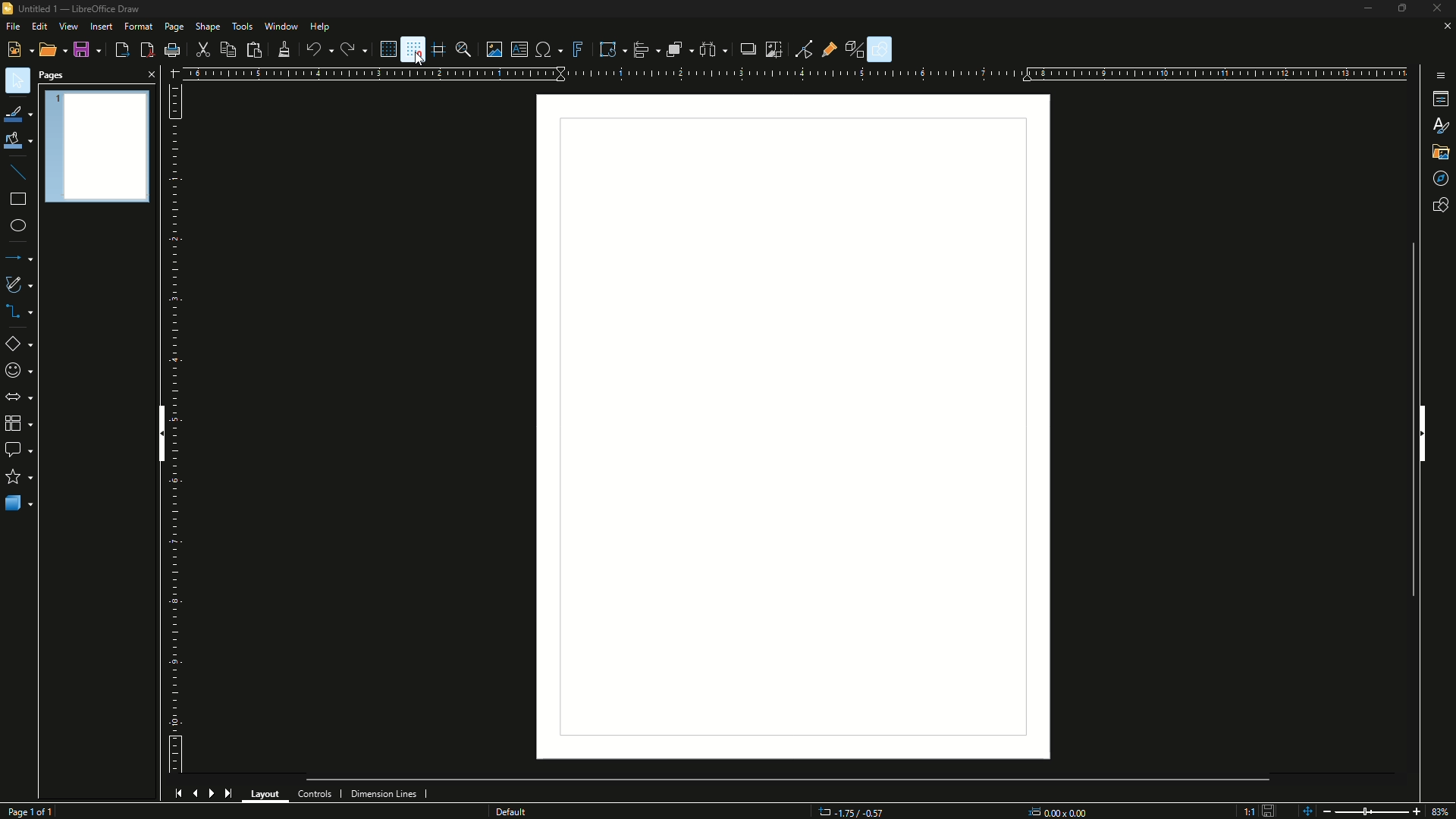  I want to click on Basic Shapes, so click(27, 344).